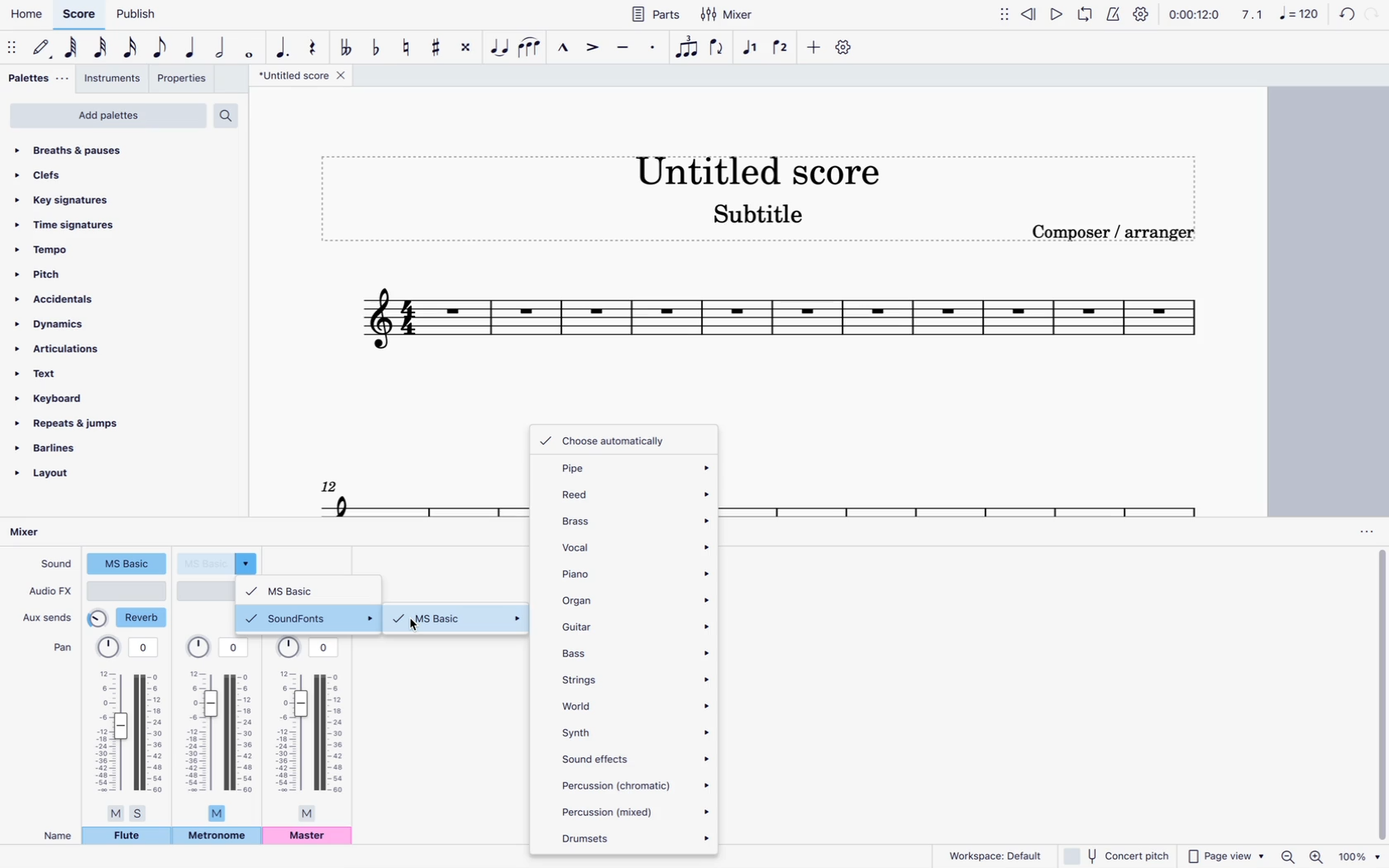 The width and height of the screenshot is (1389, 868). I want to click on zoom out, so click(1287, 856).